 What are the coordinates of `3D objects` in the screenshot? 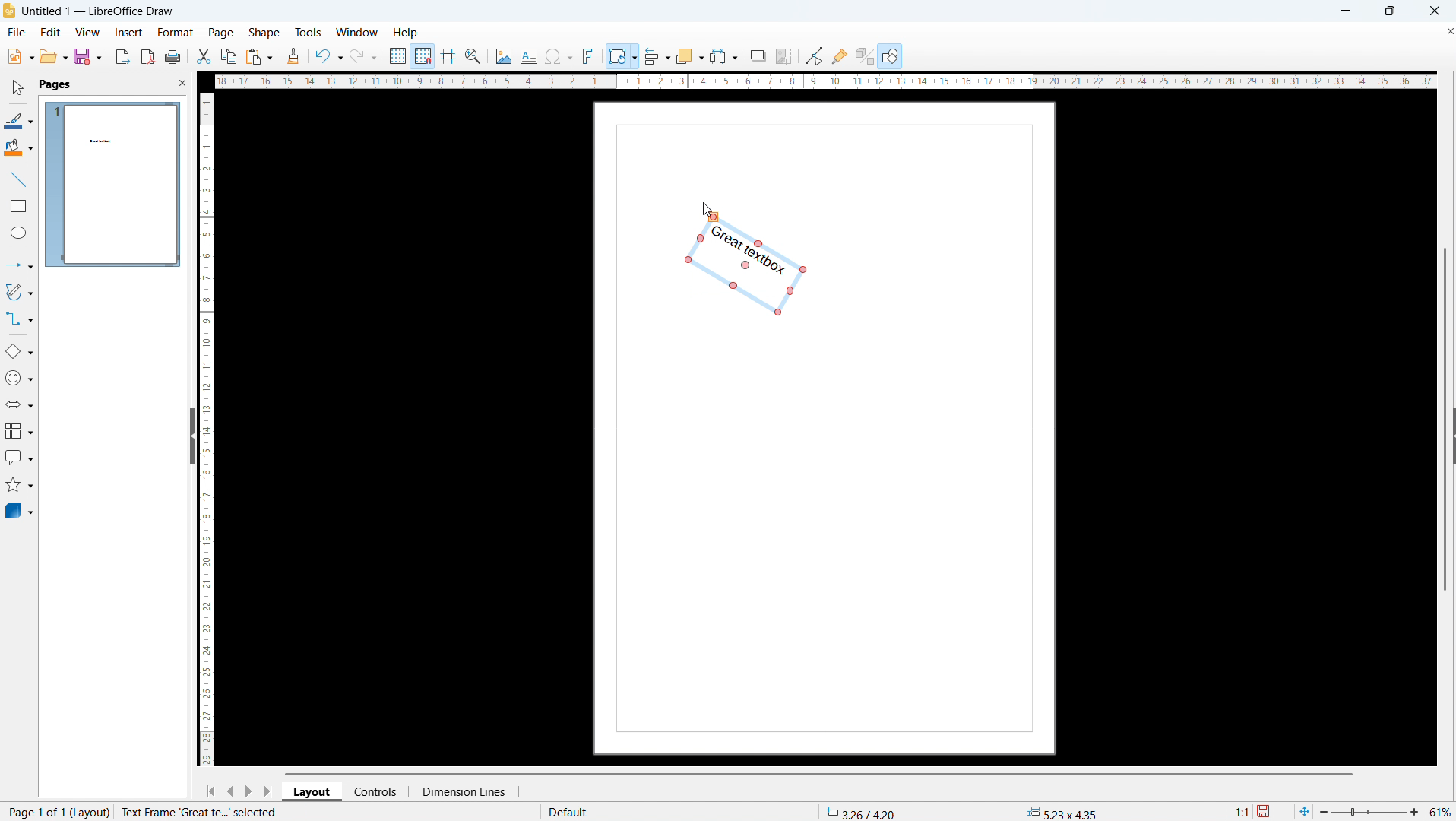 It's located at (20, 512).